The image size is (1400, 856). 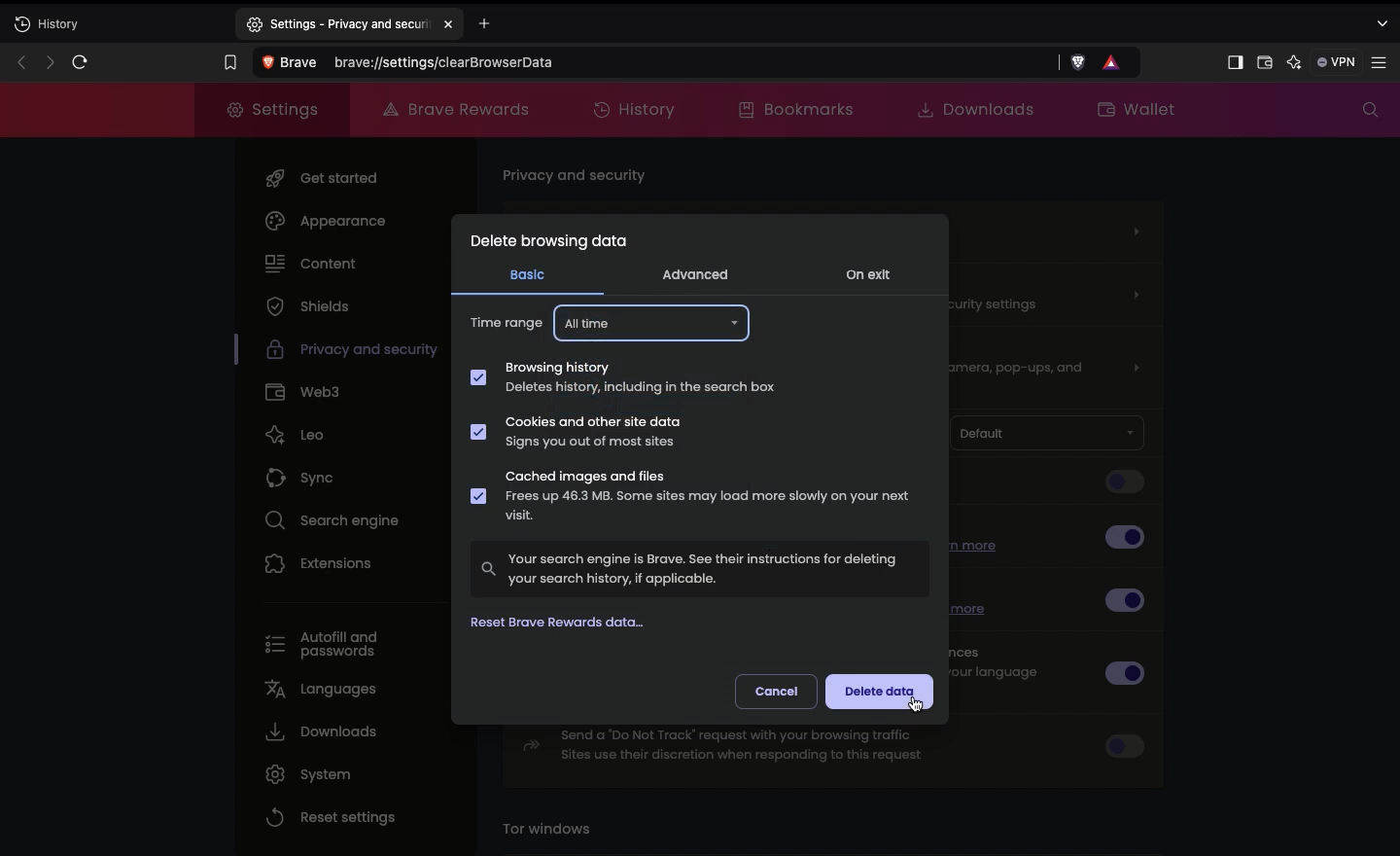 I want to click on Downloads, so click(x=970, y=109).